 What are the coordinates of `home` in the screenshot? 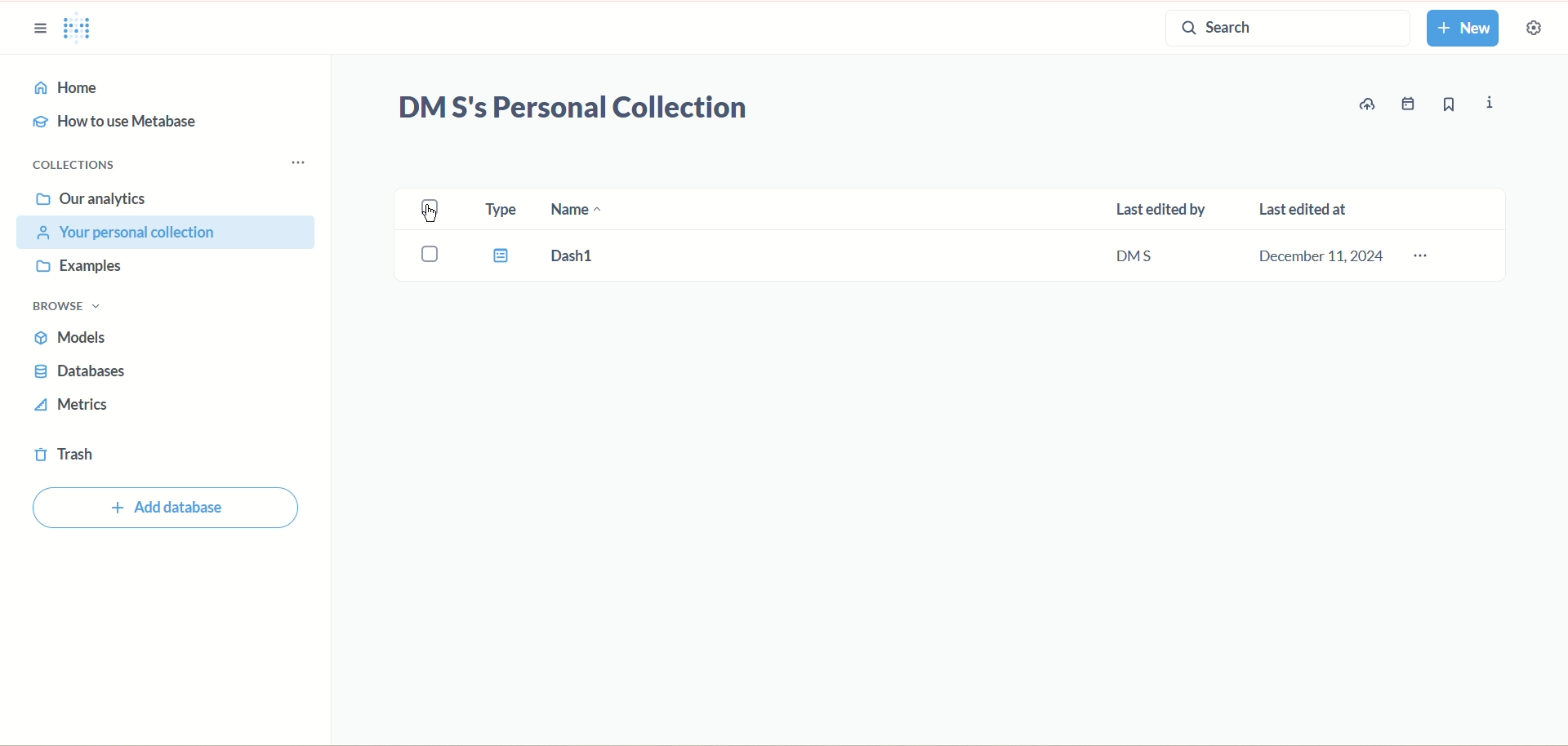 It's located at (167, 88).